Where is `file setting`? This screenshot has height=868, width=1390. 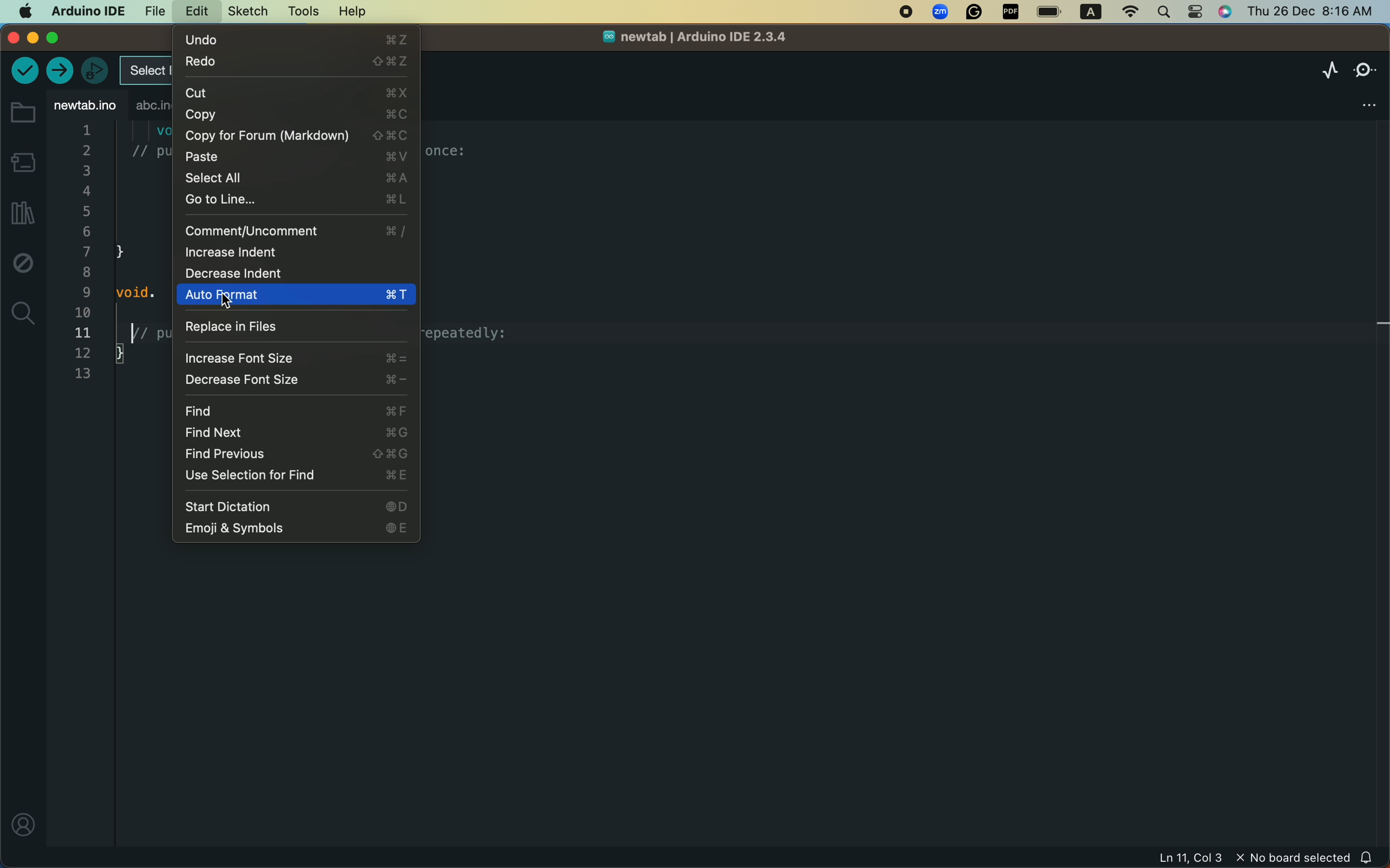
file setting is located at coordinates (1354, 101).